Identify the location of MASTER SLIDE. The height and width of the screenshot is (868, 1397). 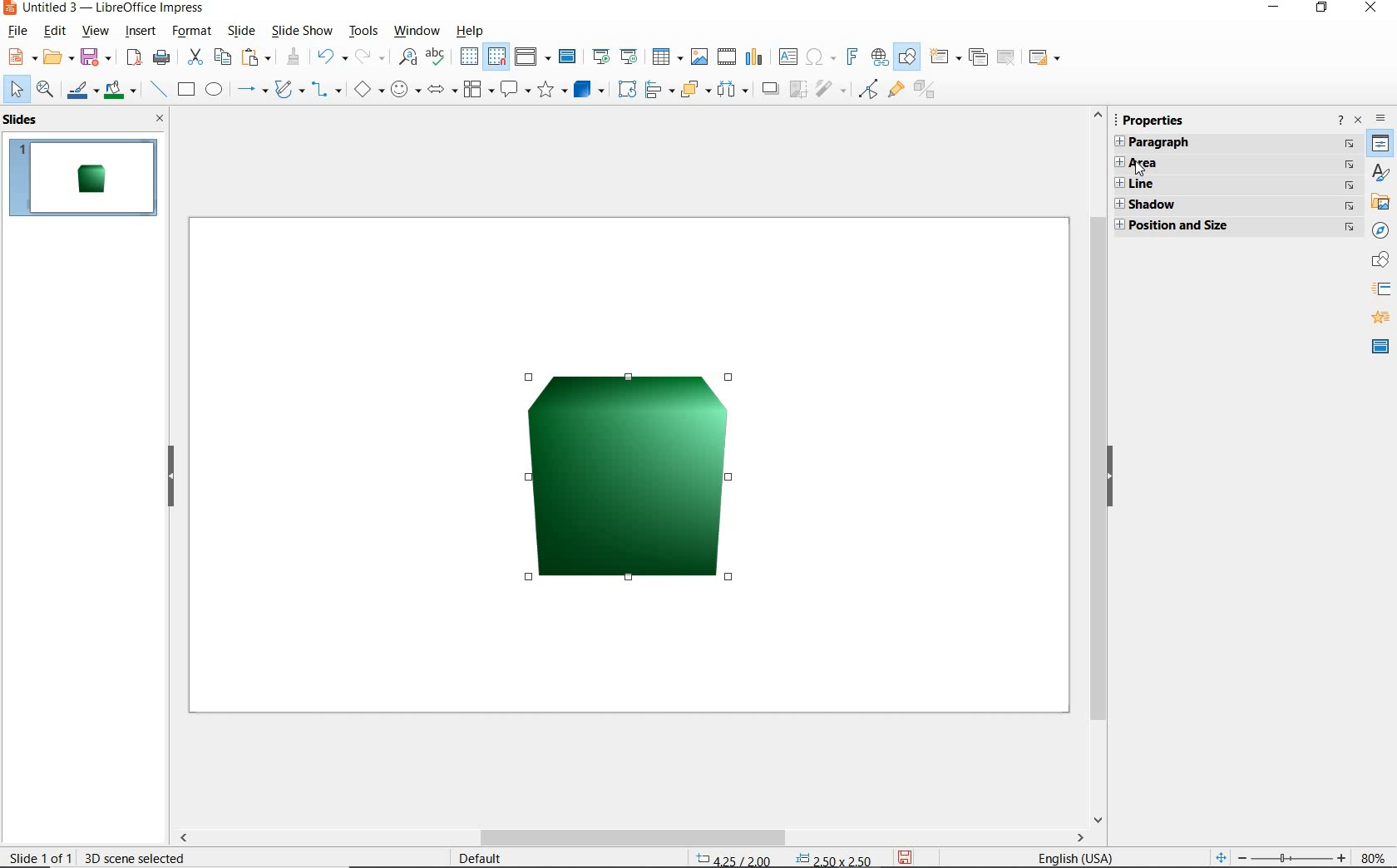
(1378, 348).